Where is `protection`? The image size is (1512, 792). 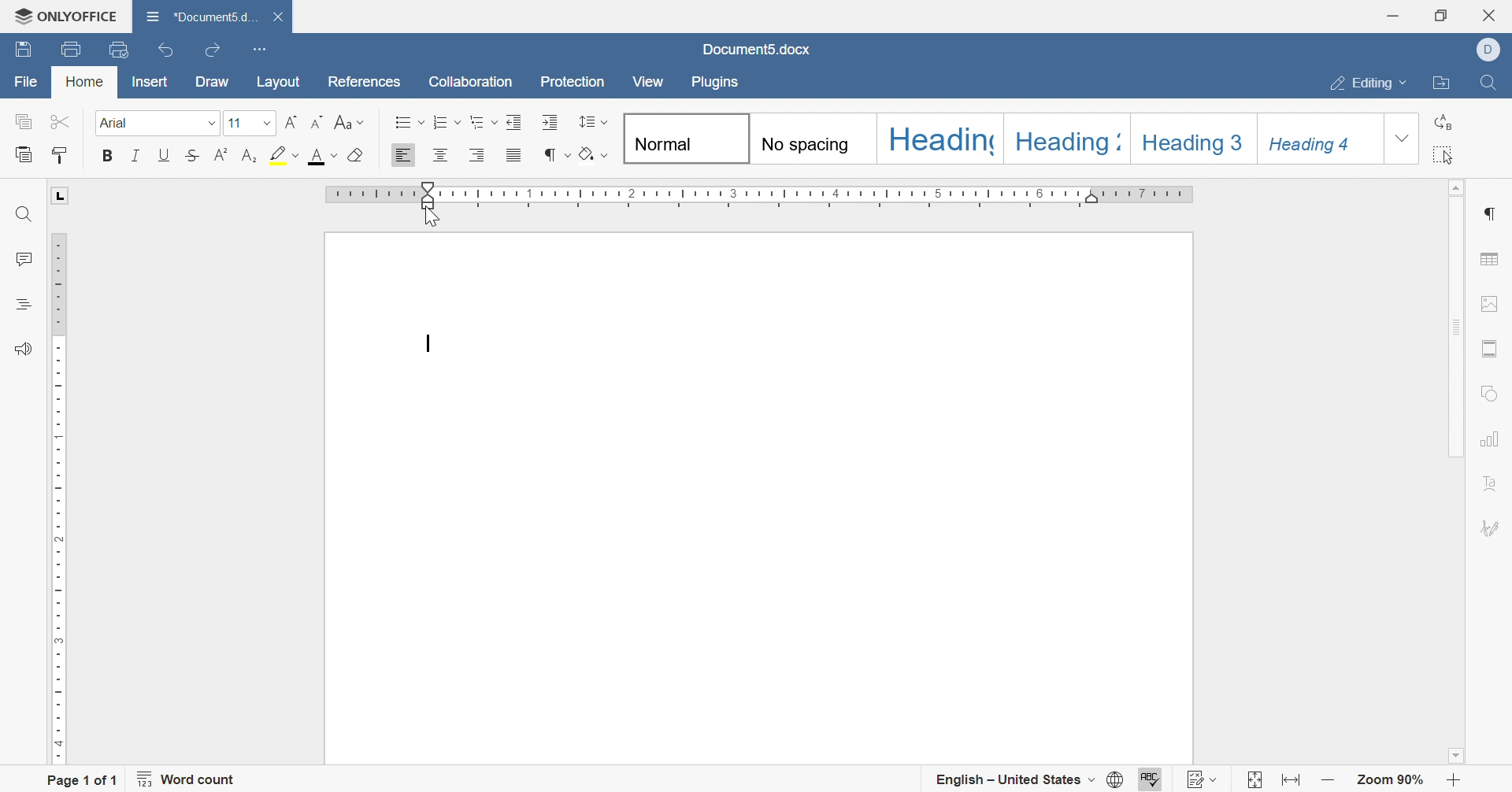
protection is located at coordinates (572, 81).